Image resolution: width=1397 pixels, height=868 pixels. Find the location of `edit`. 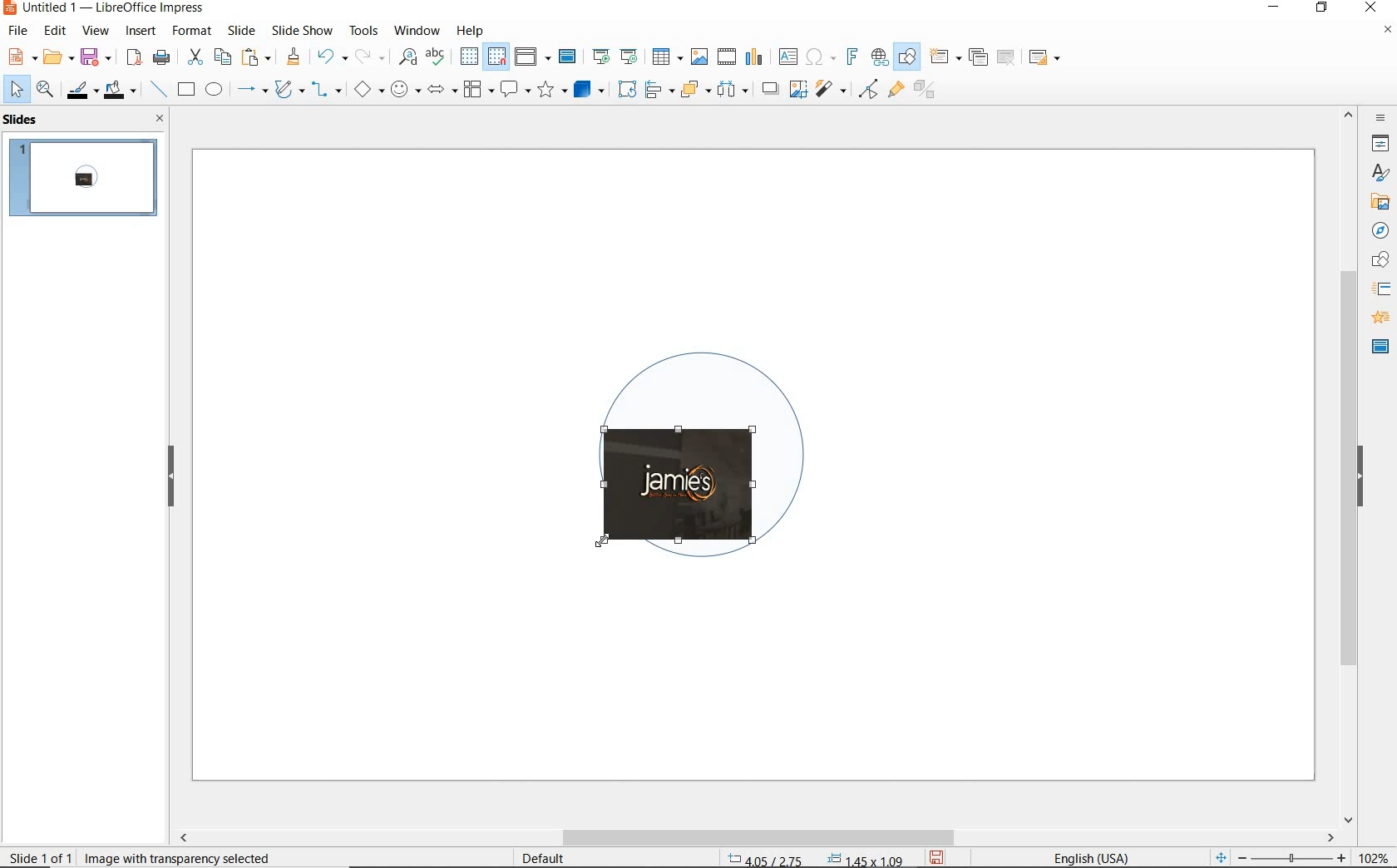

edit is located at coordinates (56, 31).